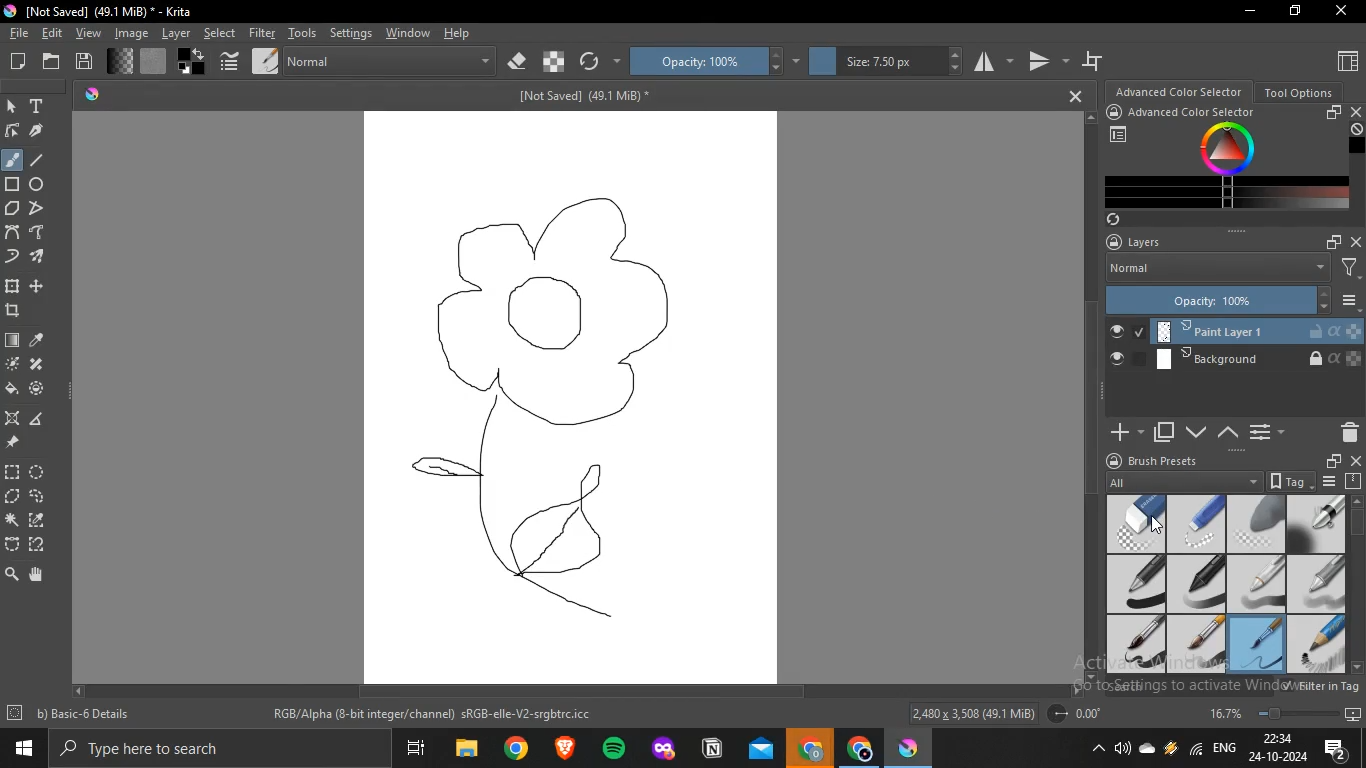  I want to click on configure selection tool, so click(14, 520).